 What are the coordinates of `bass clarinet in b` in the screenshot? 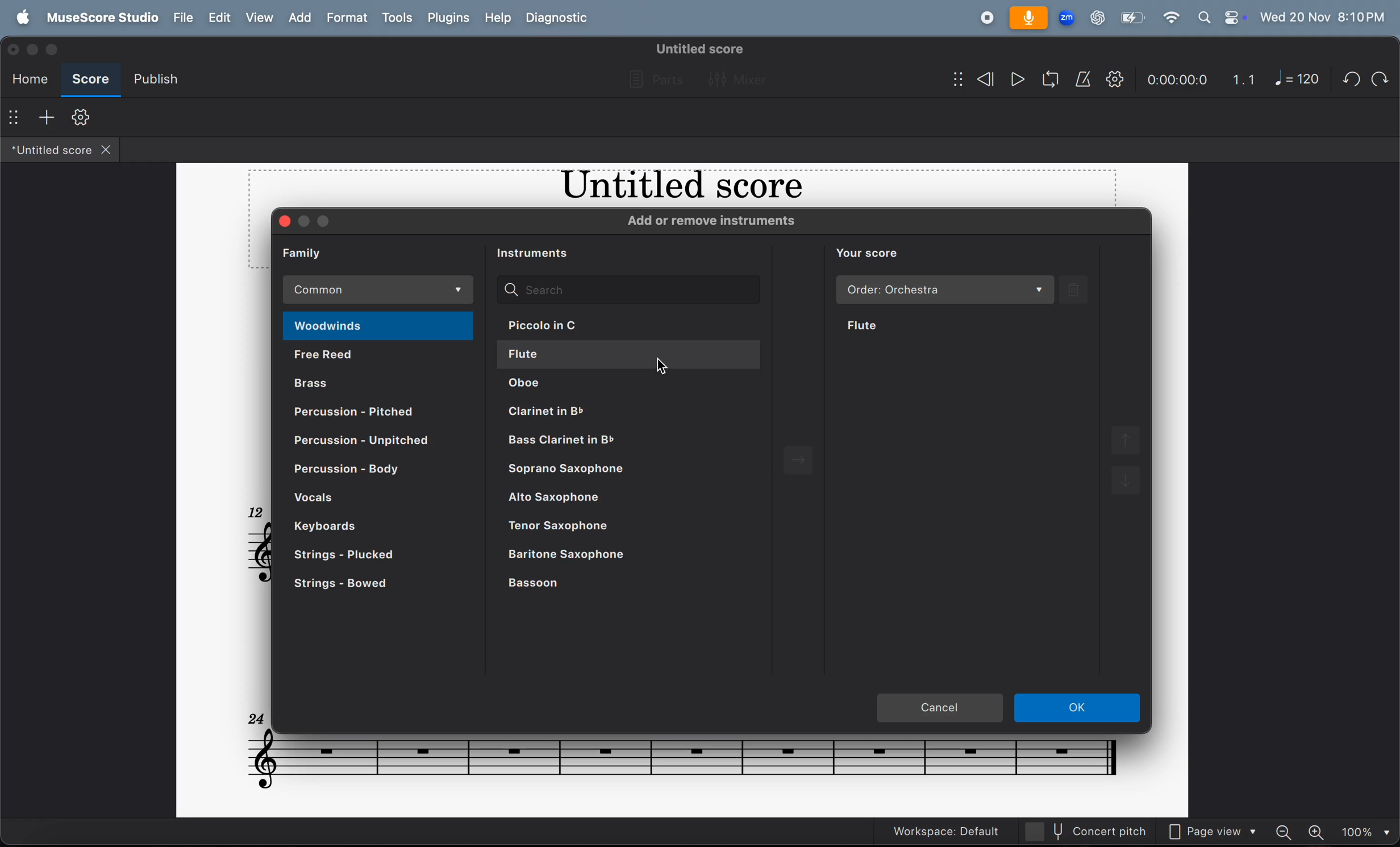 It's located at (630, 444).